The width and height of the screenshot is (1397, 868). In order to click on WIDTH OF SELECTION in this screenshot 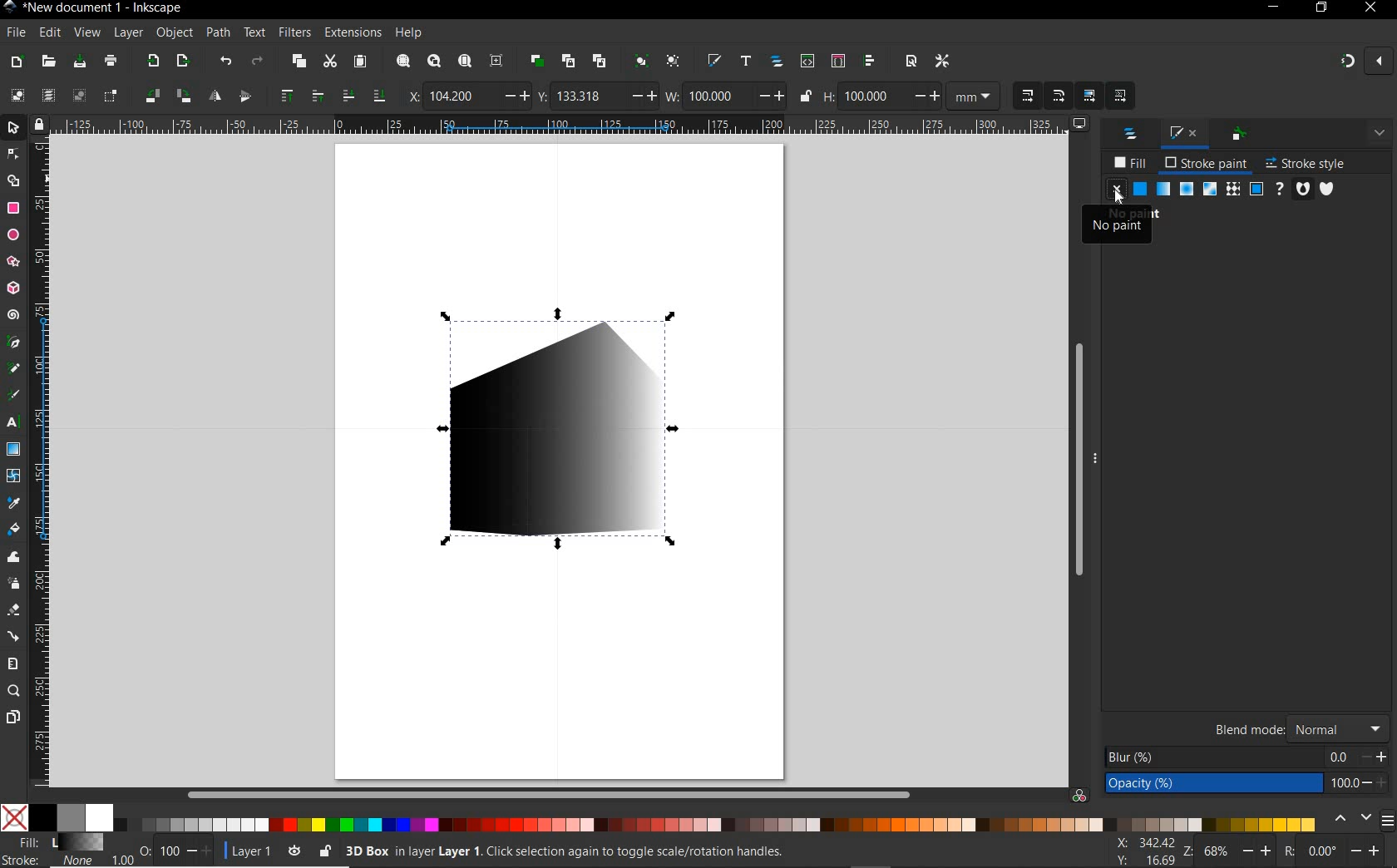, I will do `click(673, 94)`.